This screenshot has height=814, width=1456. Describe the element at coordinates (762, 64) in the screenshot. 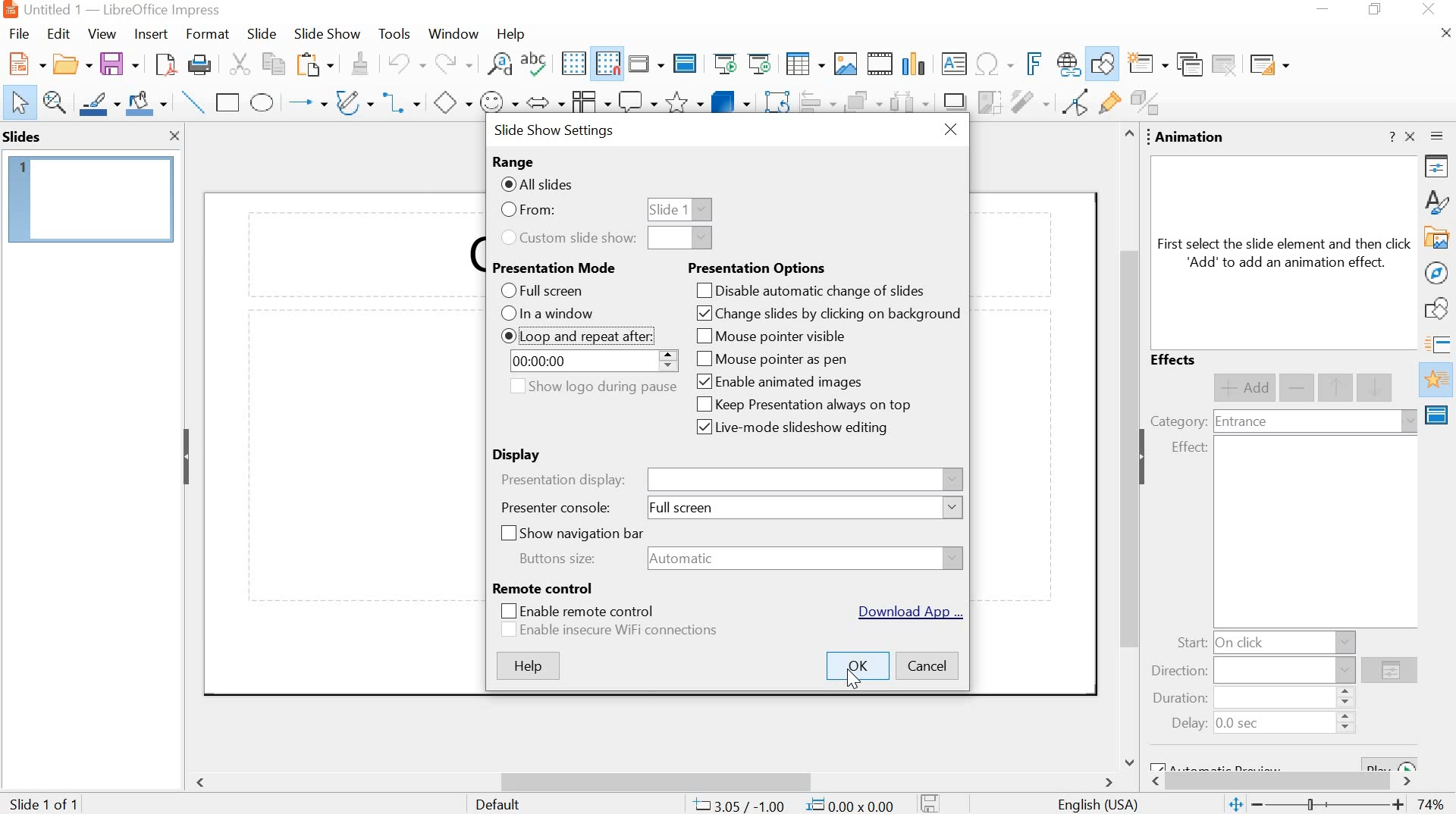

I see `slideshow from current slide` at that location.